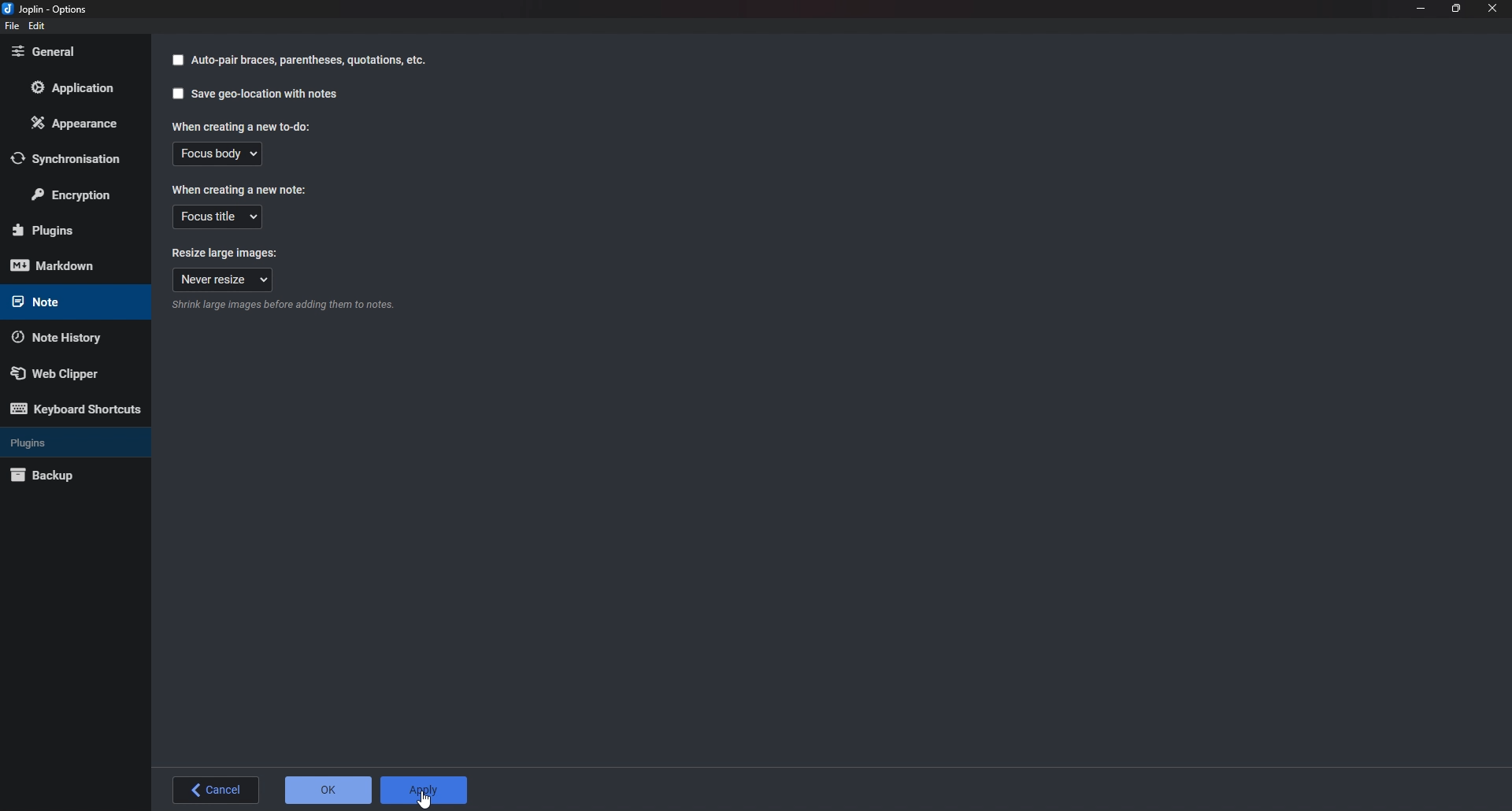 The width and height of the screenshot is (1512, 811). What do you see at coordinates (1455, 9) in the screenshot?
I see `Resize` at bounding box center [1455, 9].